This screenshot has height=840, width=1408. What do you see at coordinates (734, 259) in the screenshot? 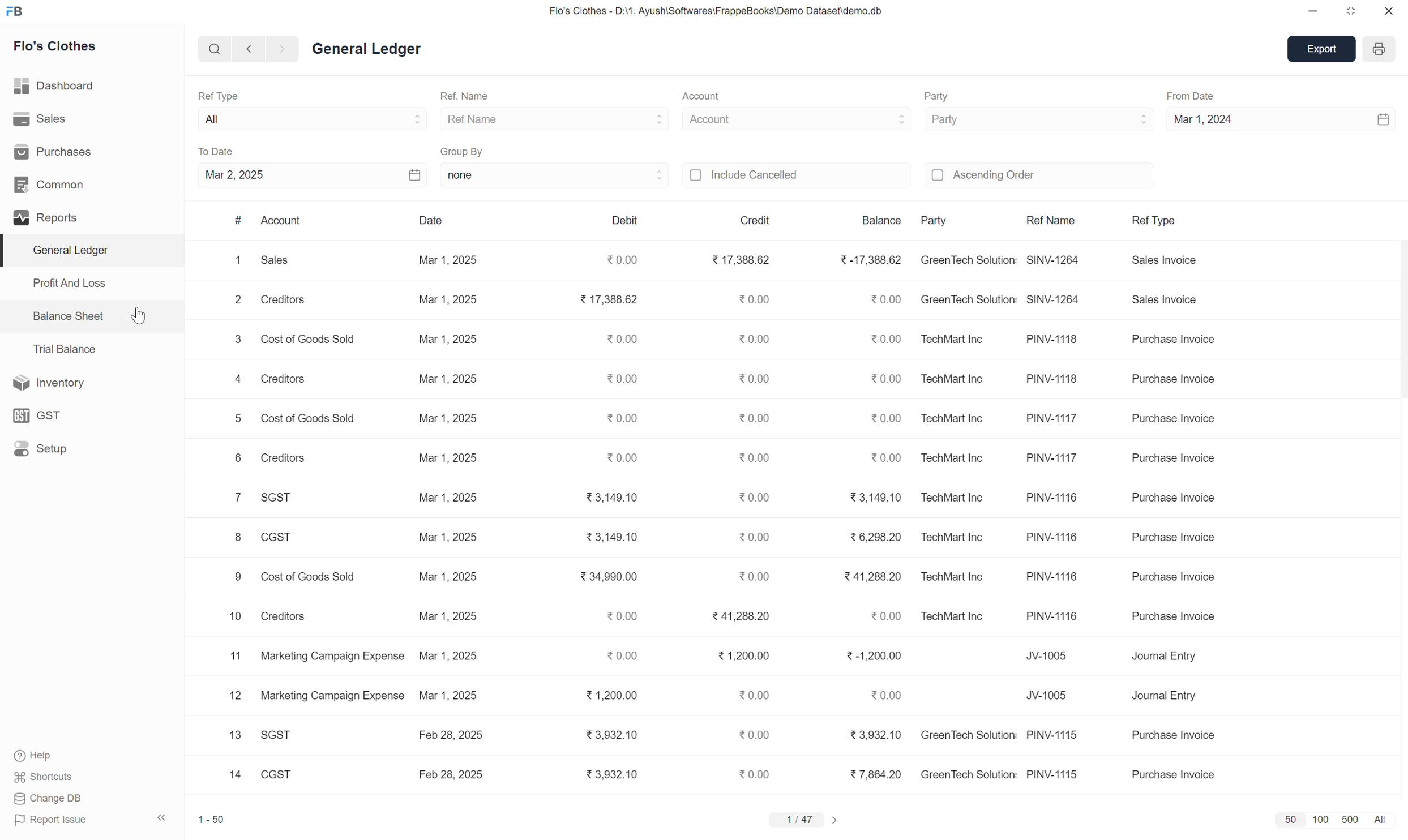
I see `17,388.62` at bounding box center [734, 259].